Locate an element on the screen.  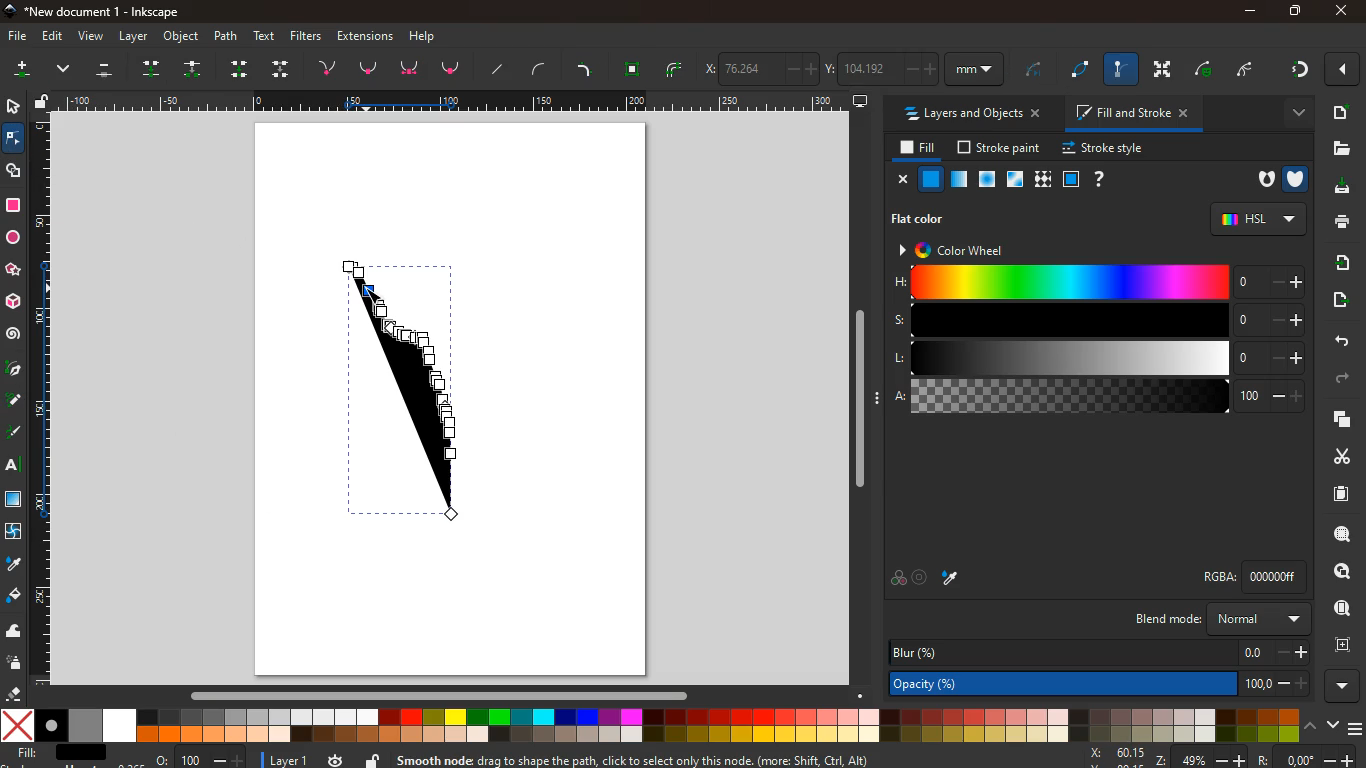
line is located at coordinates (587, 68).